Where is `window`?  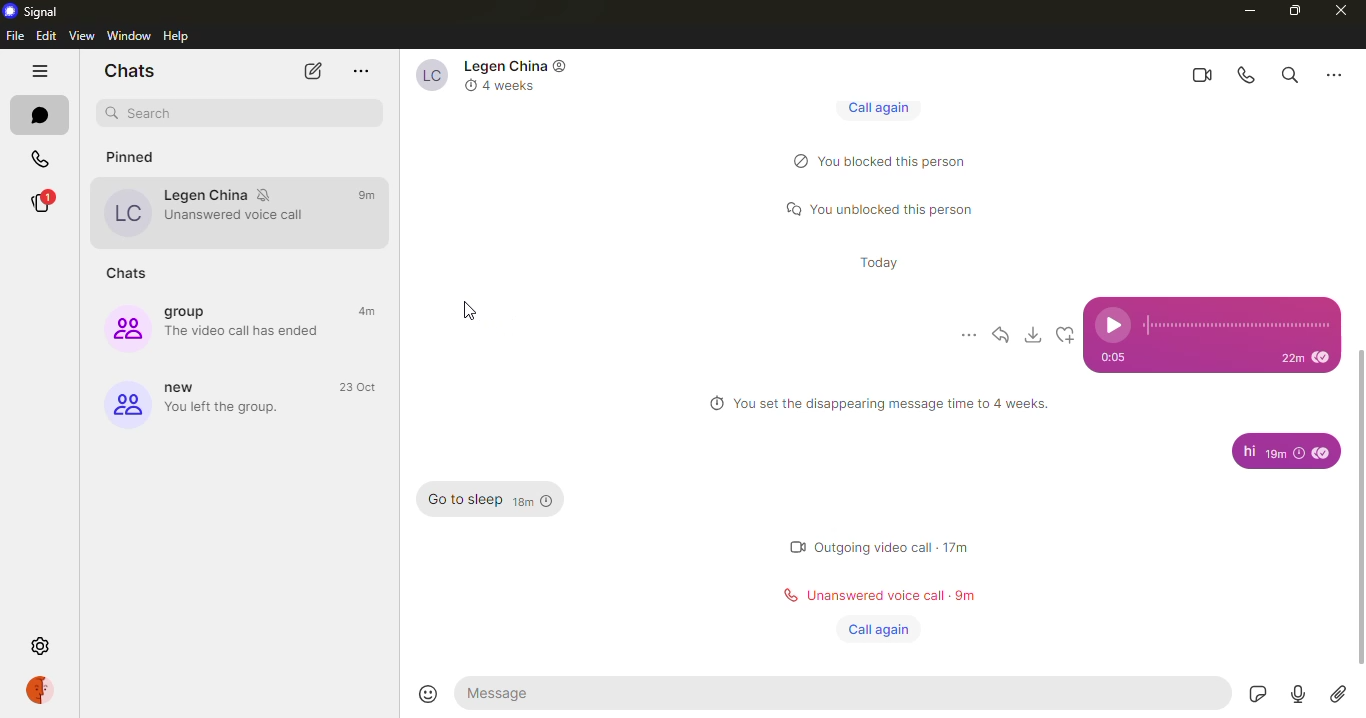 window is located at coordinates (130, 35).